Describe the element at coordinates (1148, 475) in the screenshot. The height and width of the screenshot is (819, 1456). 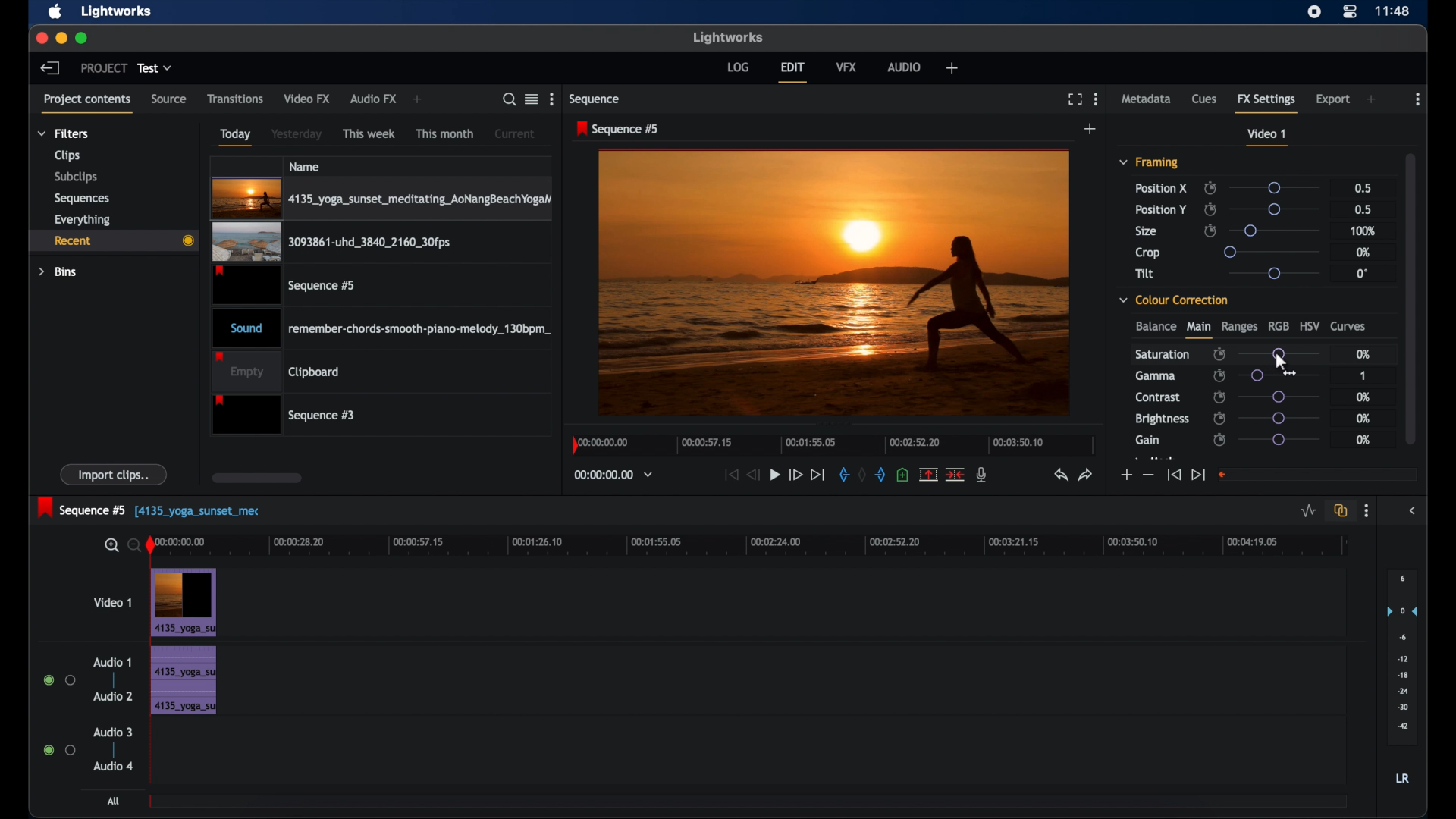
I see `decrement` at that location.